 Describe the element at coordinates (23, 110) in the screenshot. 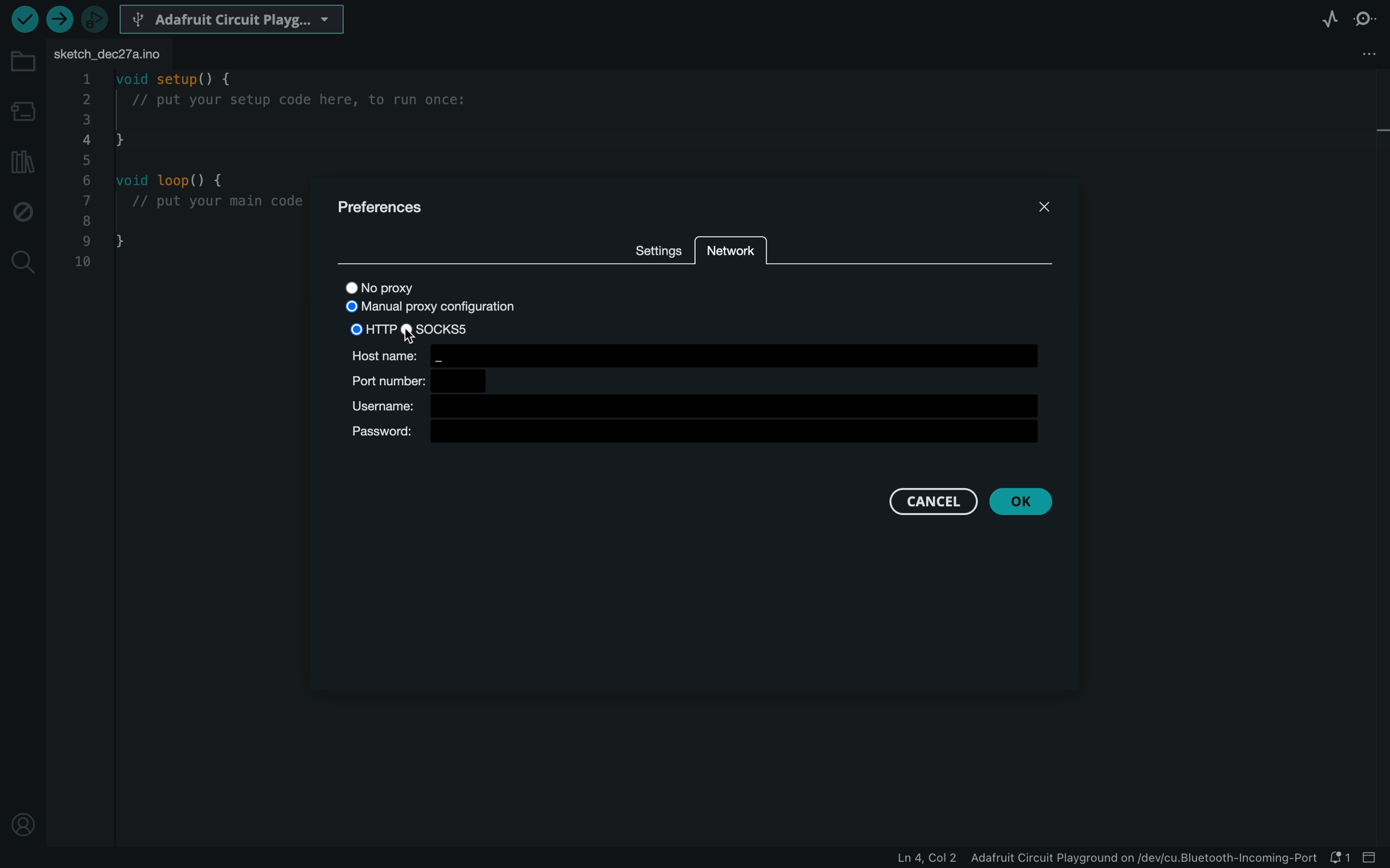

I see `board manager` at that location.